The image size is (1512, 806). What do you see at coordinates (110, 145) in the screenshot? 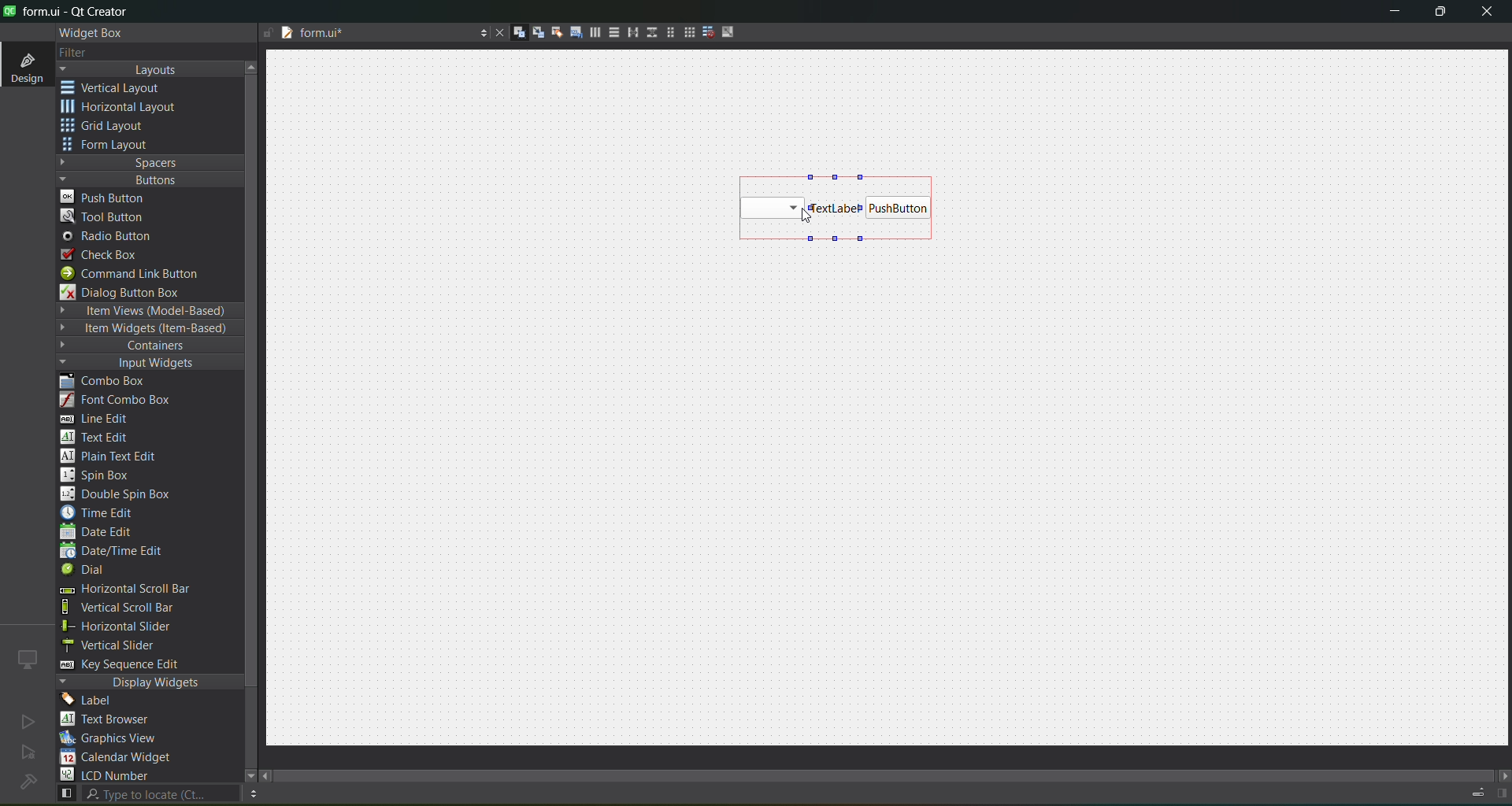
I see `form` at bounding box center [110, 145].